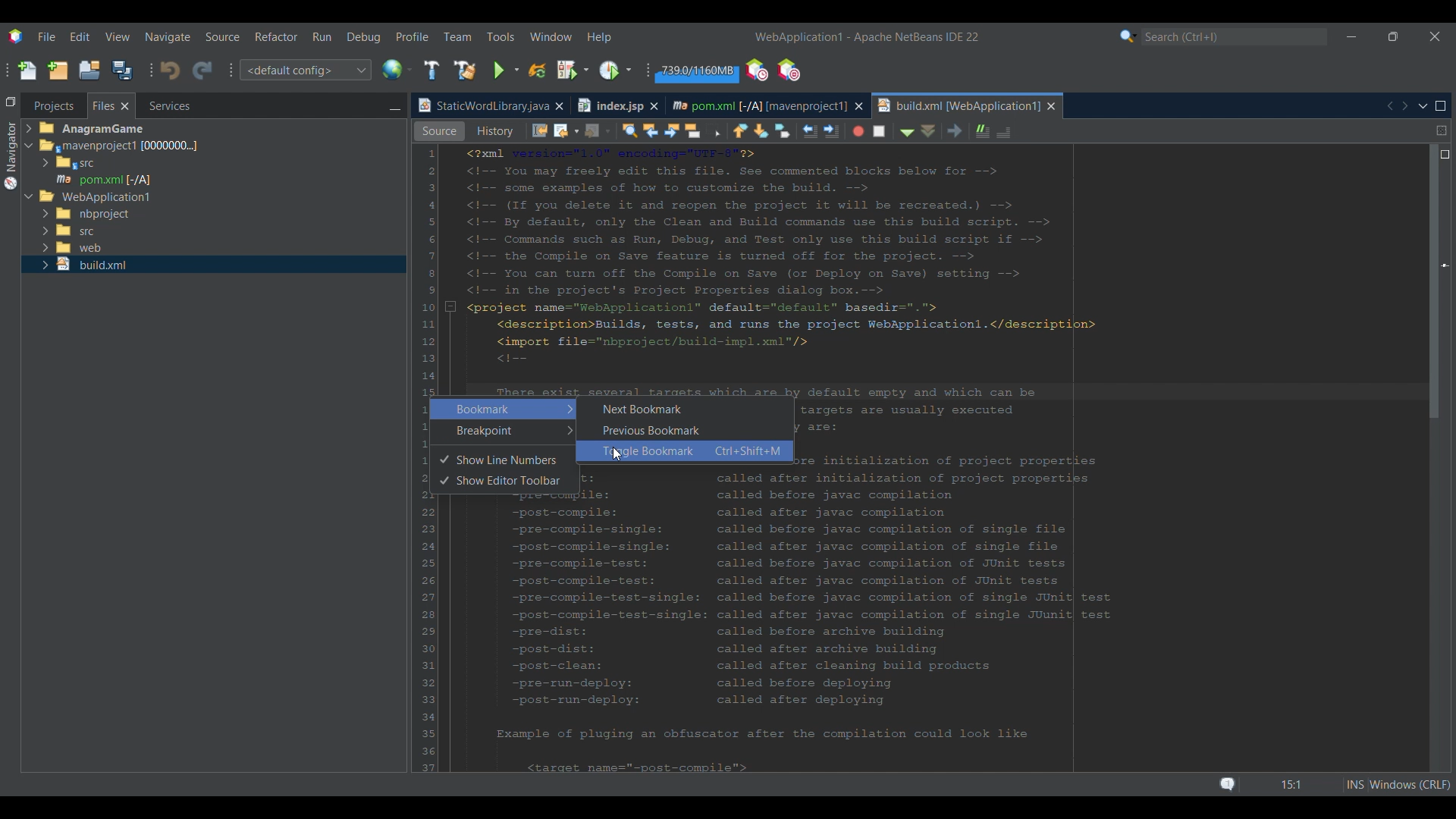 This screenshot has width=1456, height=819. What do you see at coordinates (1111, 391) in the screenshot?
I see `Selected line highlighted` at bounding box center [1111, 391].